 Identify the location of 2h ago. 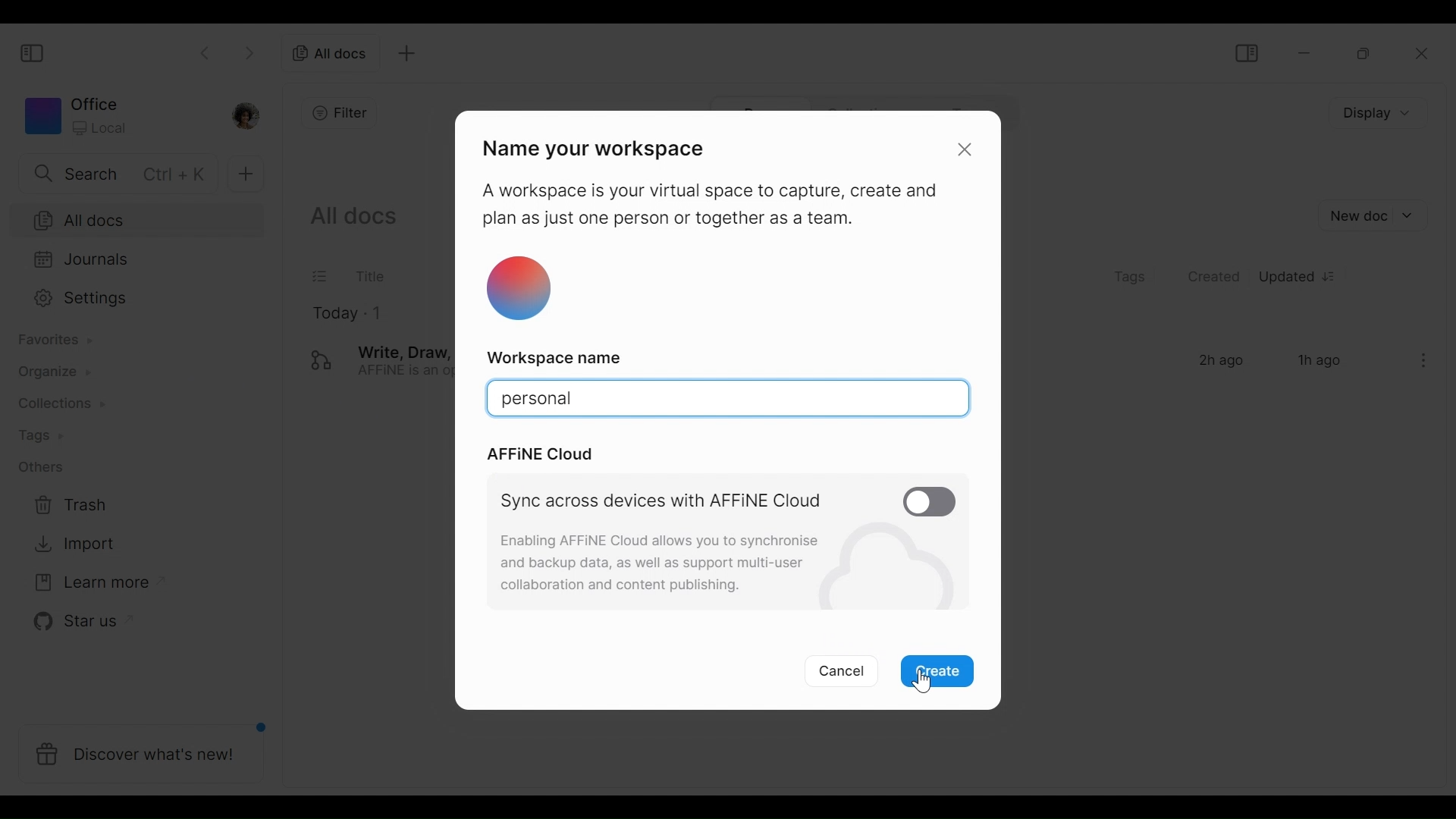
(1219, 362).